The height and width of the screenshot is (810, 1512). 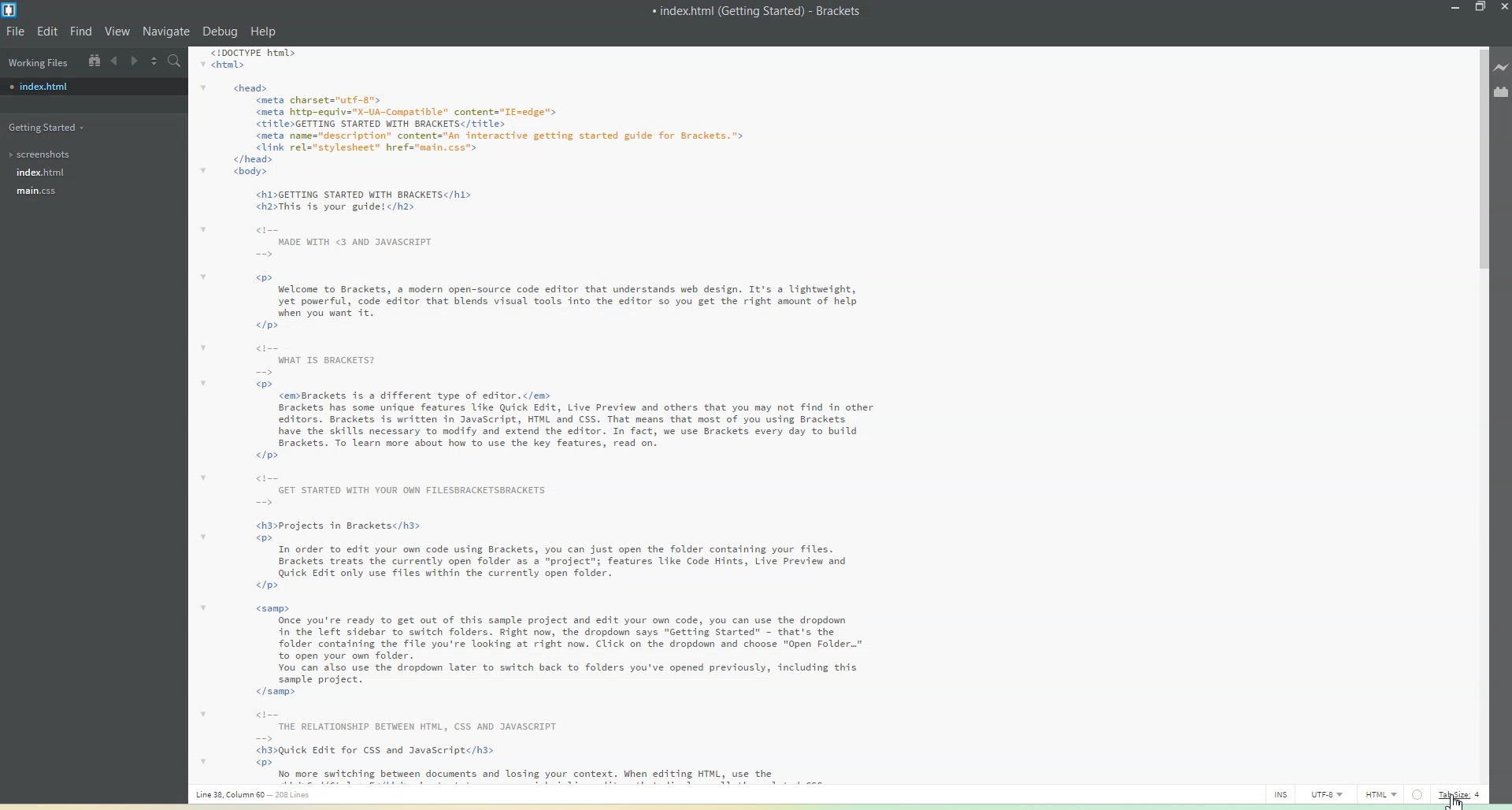 I want to click on Navigate Forward, so click(x=135, y=61).